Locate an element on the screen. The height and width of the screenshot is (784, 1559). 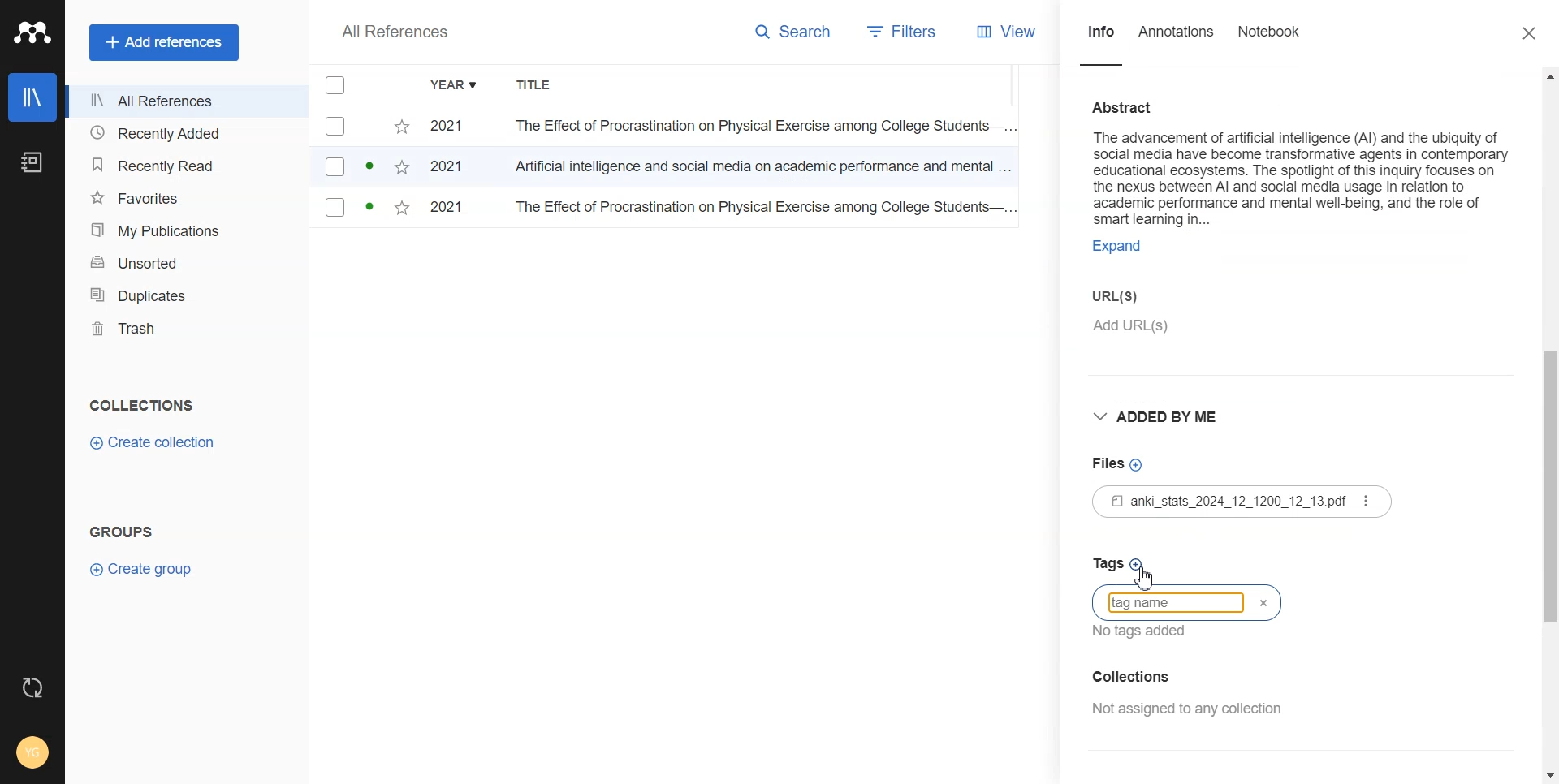
Create collection is located at coordinates (152, 443).